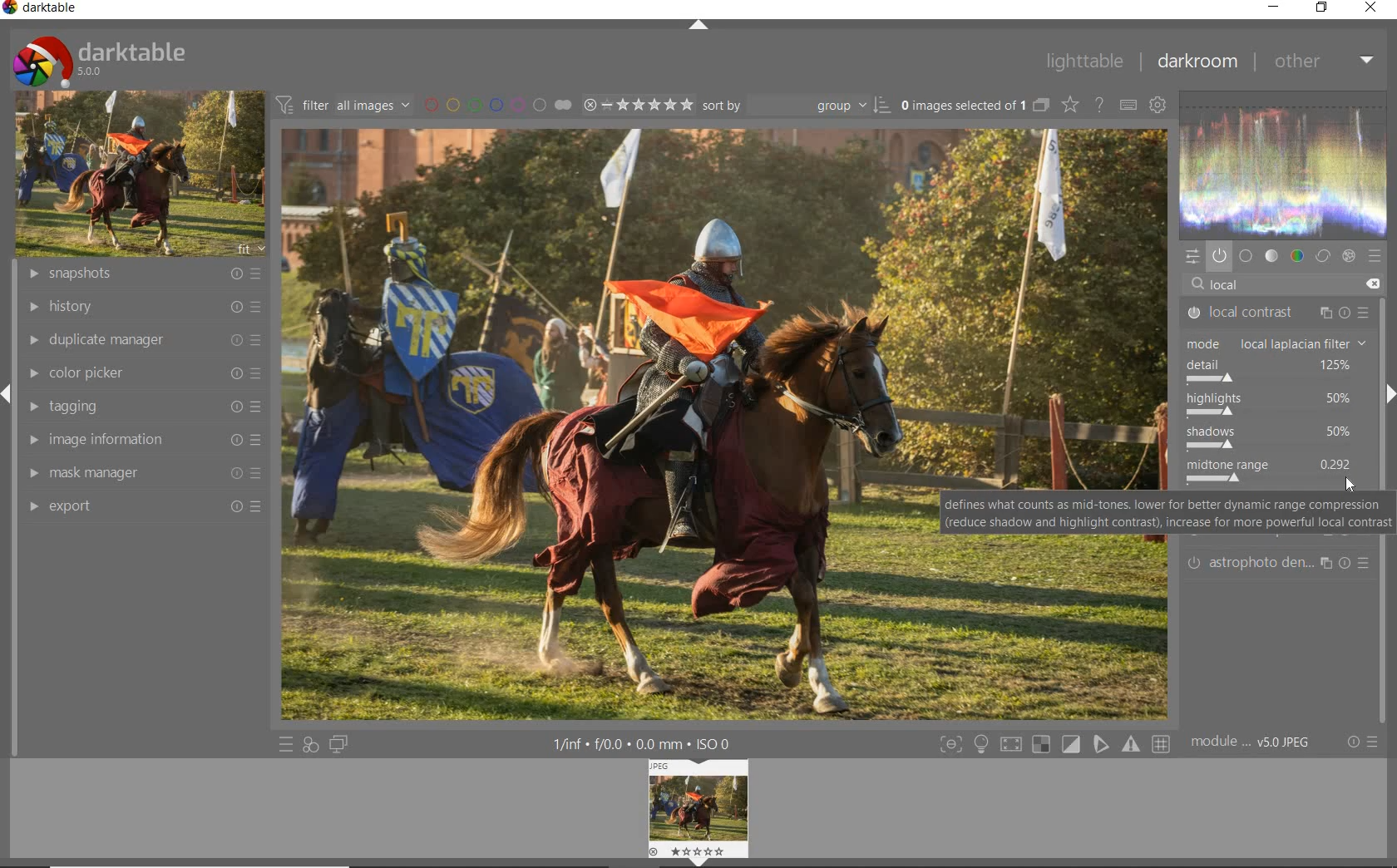 The width and height of the screenshot is (1397, 868). I want to click on define keyboard shortcuts, so click(1127, 105).